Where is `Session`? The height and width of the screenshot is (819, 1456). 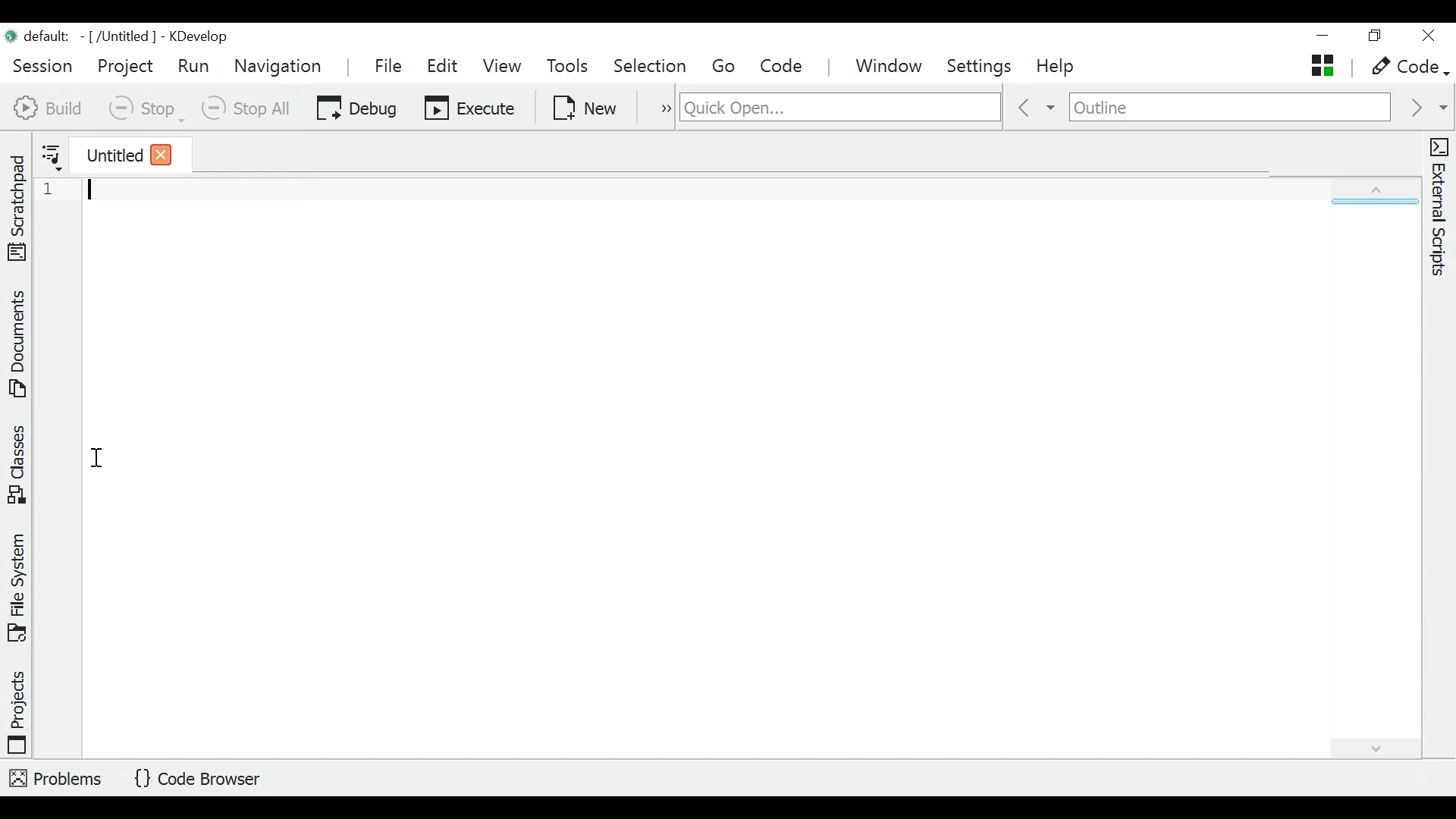
Session is located at coordinates (45, 65).